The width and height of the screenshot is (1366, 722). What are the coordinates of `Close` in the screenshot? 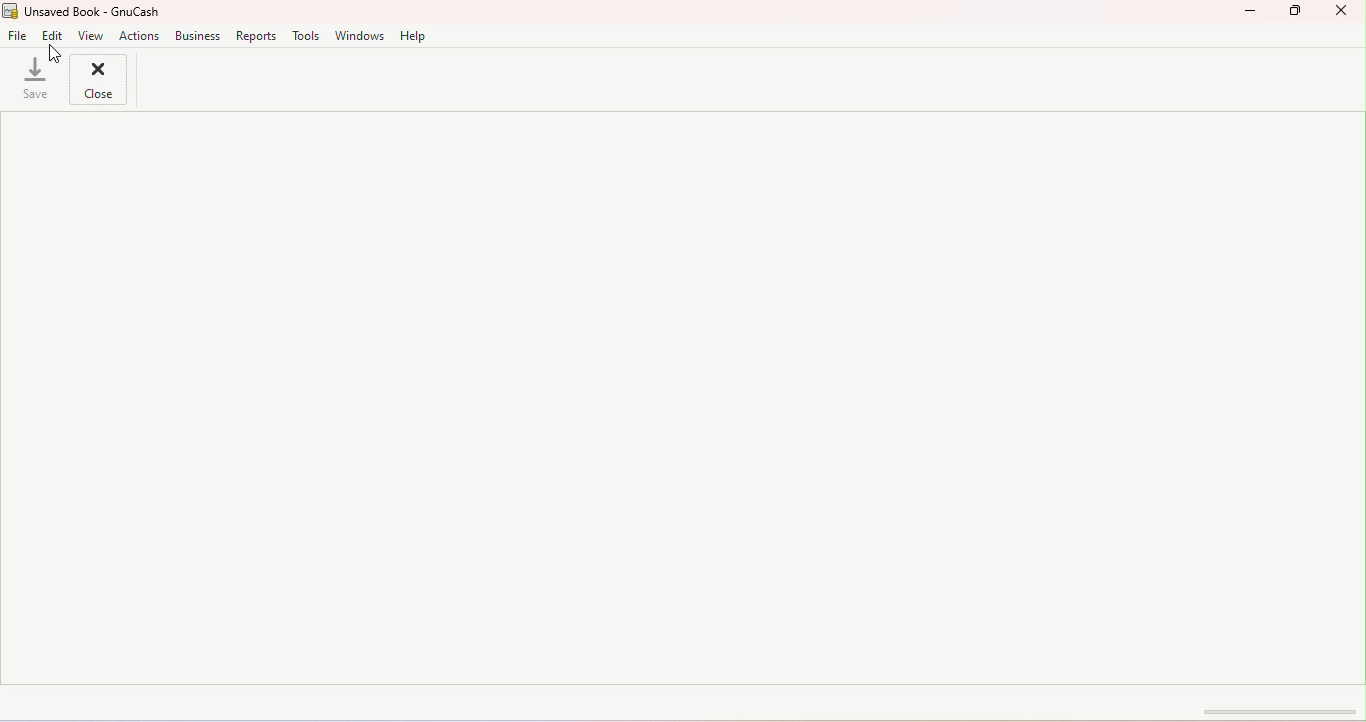 It's located at (100, 81).